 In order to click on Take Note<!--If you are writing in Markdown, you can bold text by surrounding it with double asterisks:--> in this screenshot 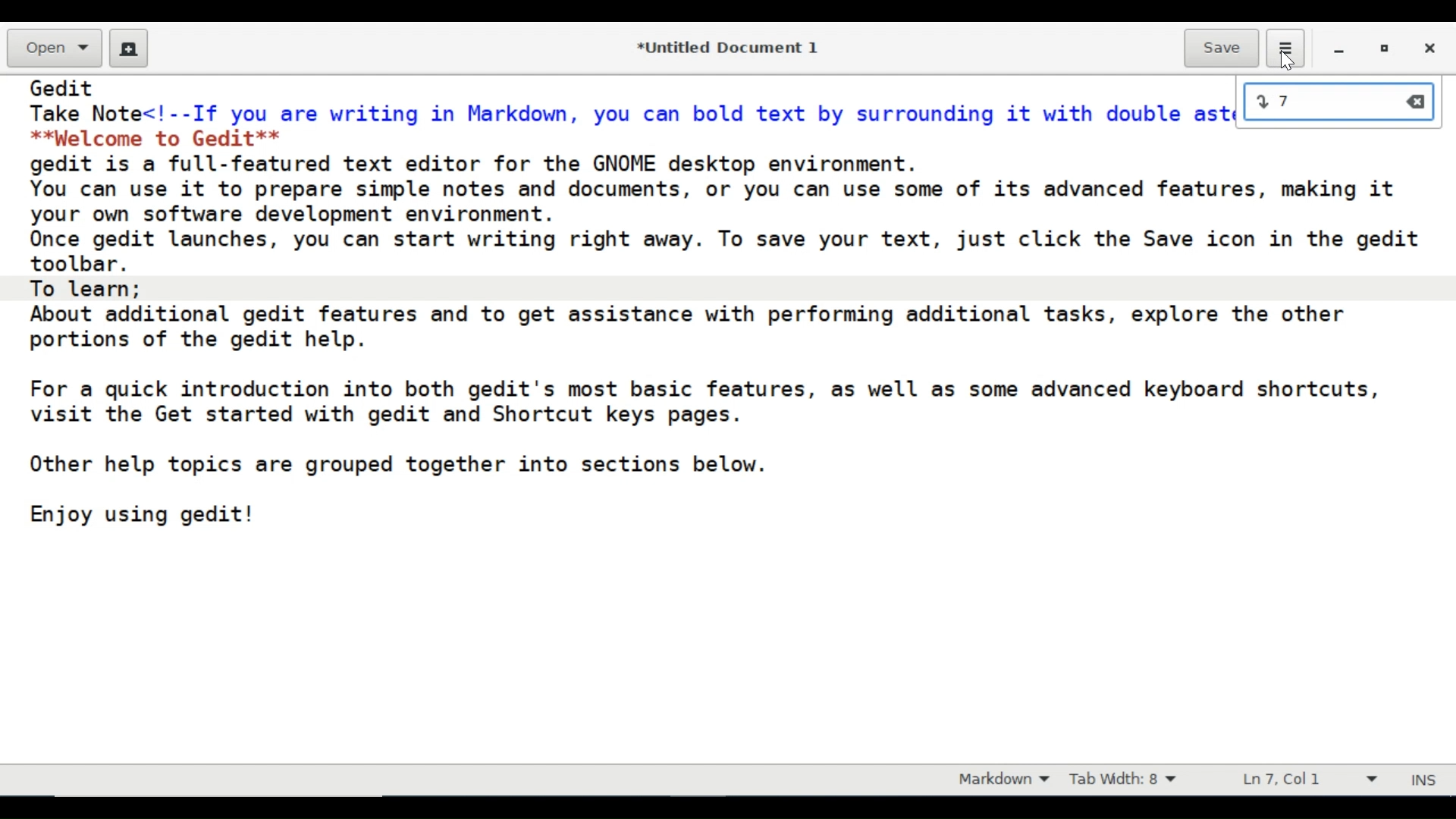, I will do `click(632, 111)`.